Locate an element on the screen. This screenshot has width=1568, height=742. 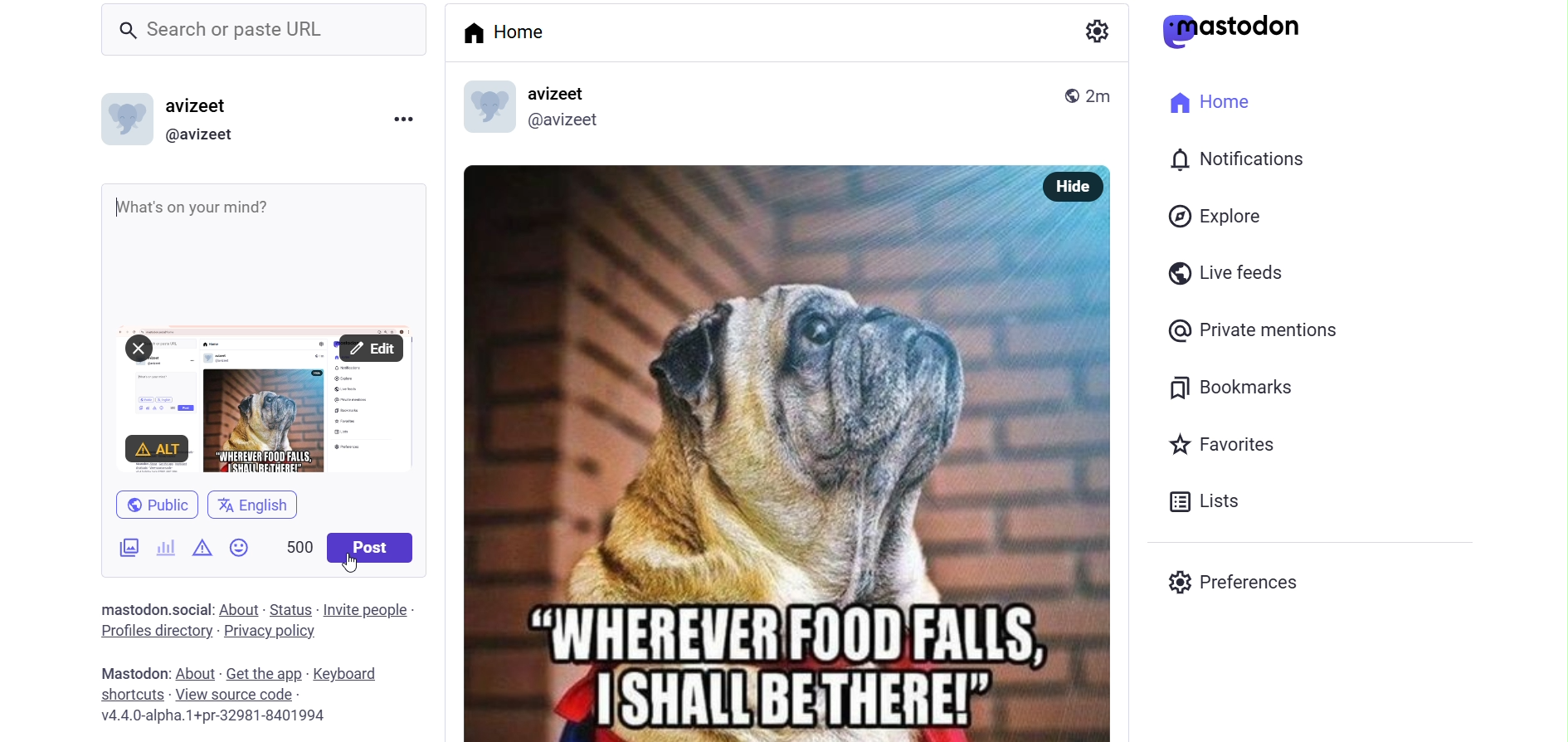
Mastodon .social is located at coordinates (131, 609).